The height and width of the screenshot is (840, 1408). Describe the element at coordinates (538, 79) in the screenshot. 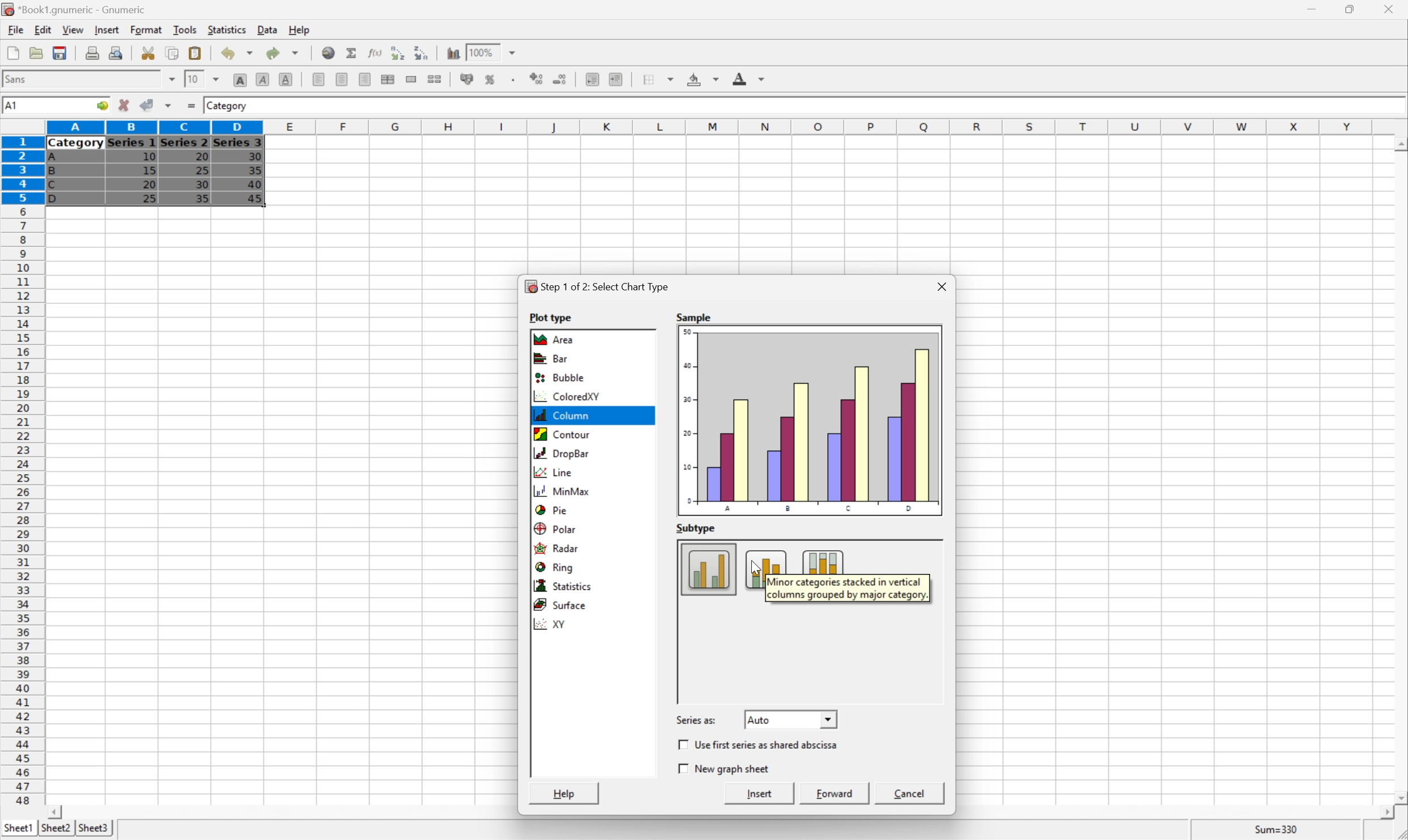

I see `Increase the number of decimals displayed` at that location.